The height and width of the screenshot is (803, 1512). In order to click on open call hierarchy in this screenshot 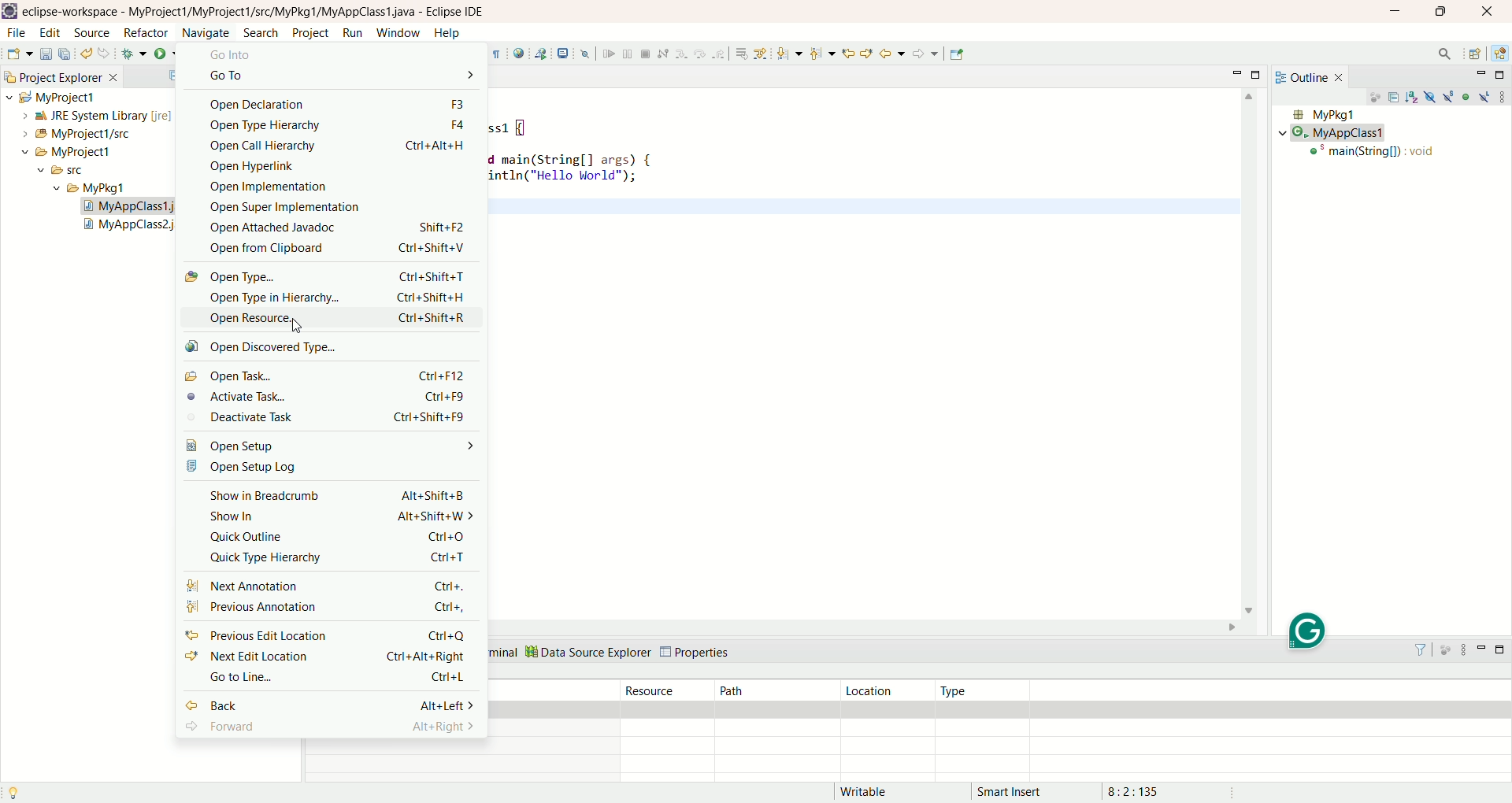, I will do `click(334, 146)`.